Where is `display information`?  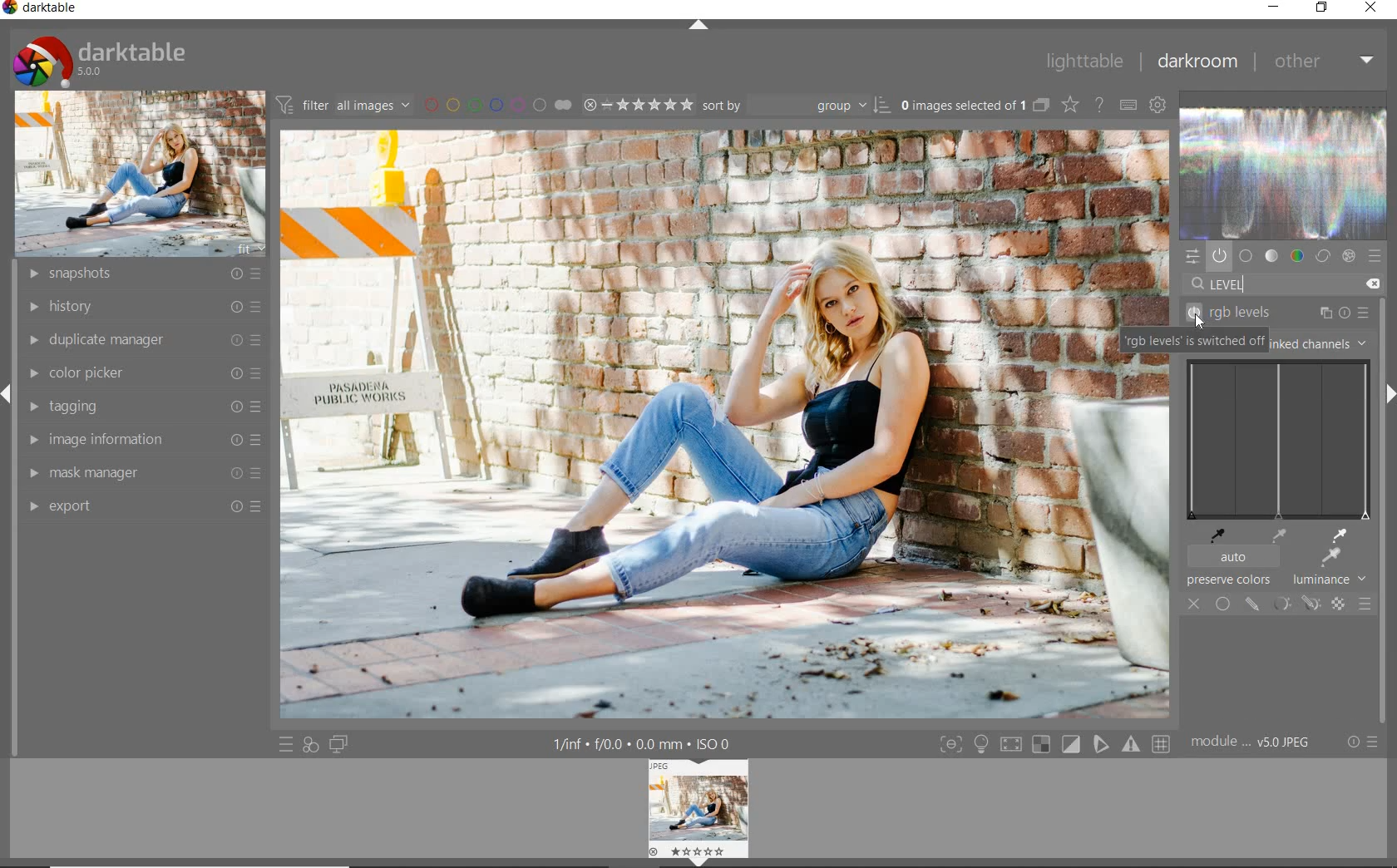 display information is located at coordinates (655, 744).